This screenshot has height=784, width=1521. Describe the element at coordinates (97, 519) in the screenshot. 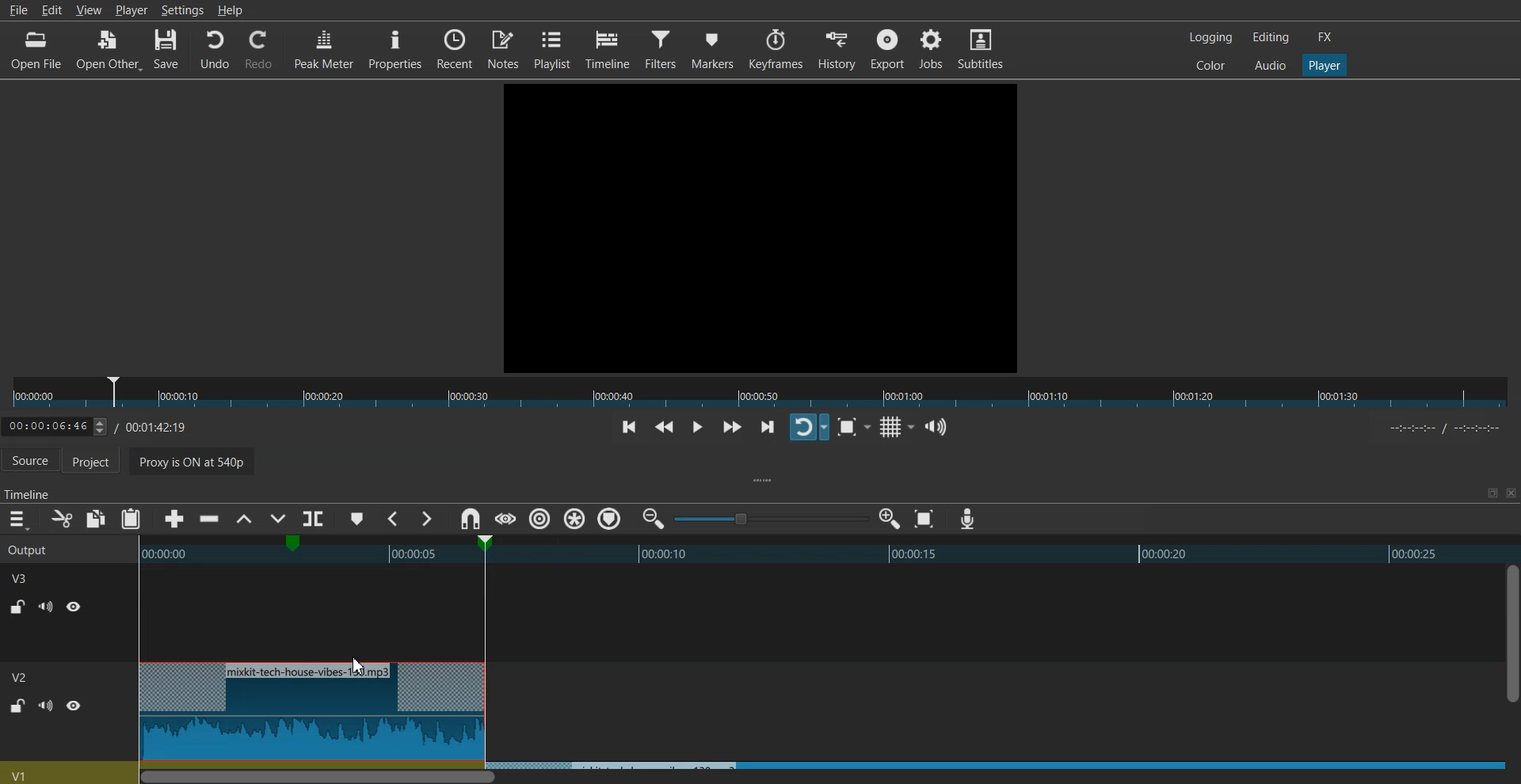

I see `Copy` at that location.